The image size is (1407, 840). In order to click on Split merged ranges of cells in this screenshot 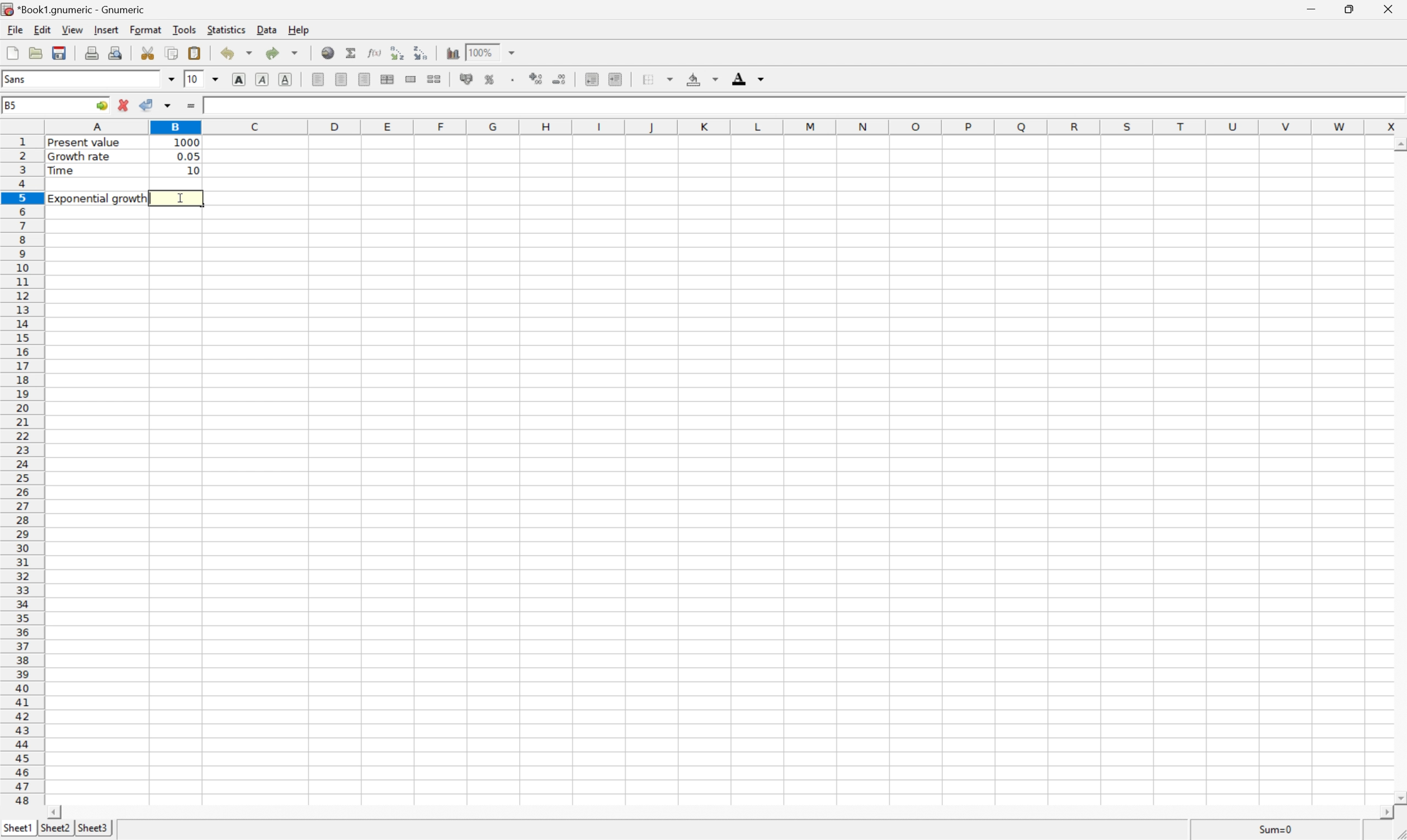, I will do `click(434, 78)`.